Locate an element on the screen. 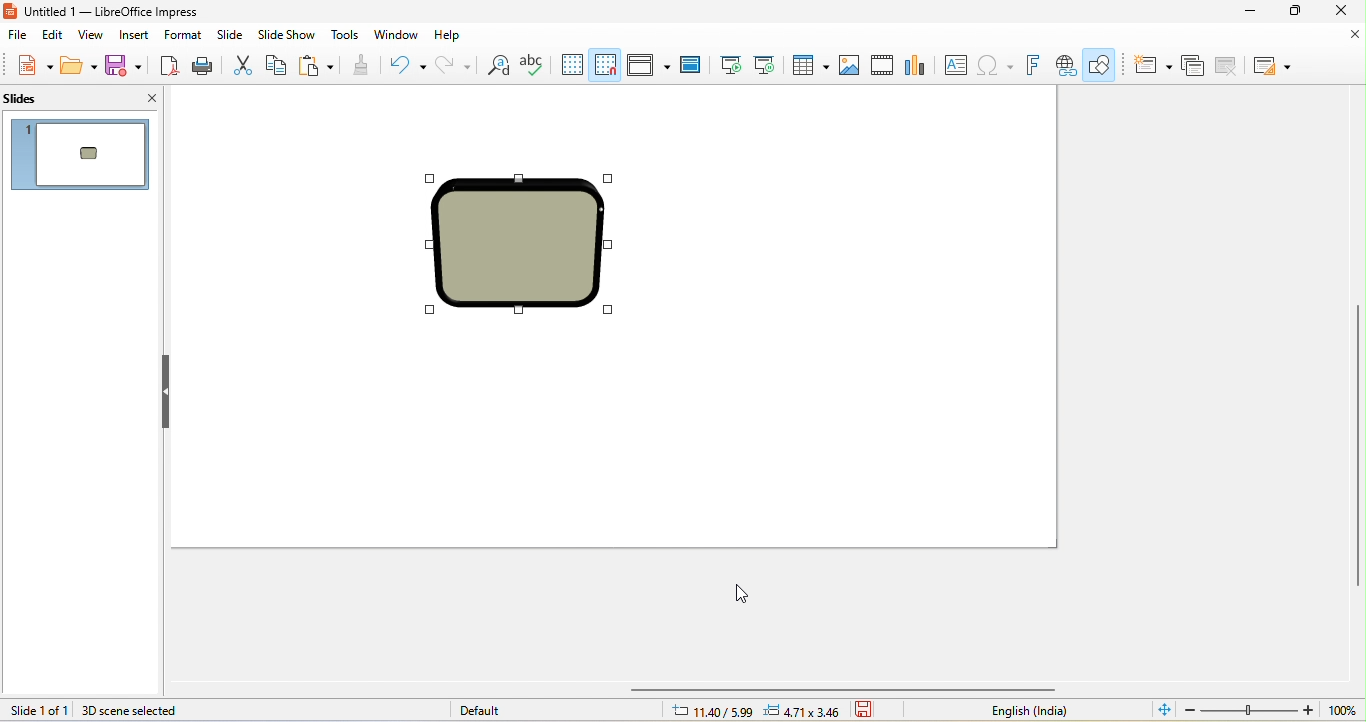  hide is located at coordinates (167, 391).